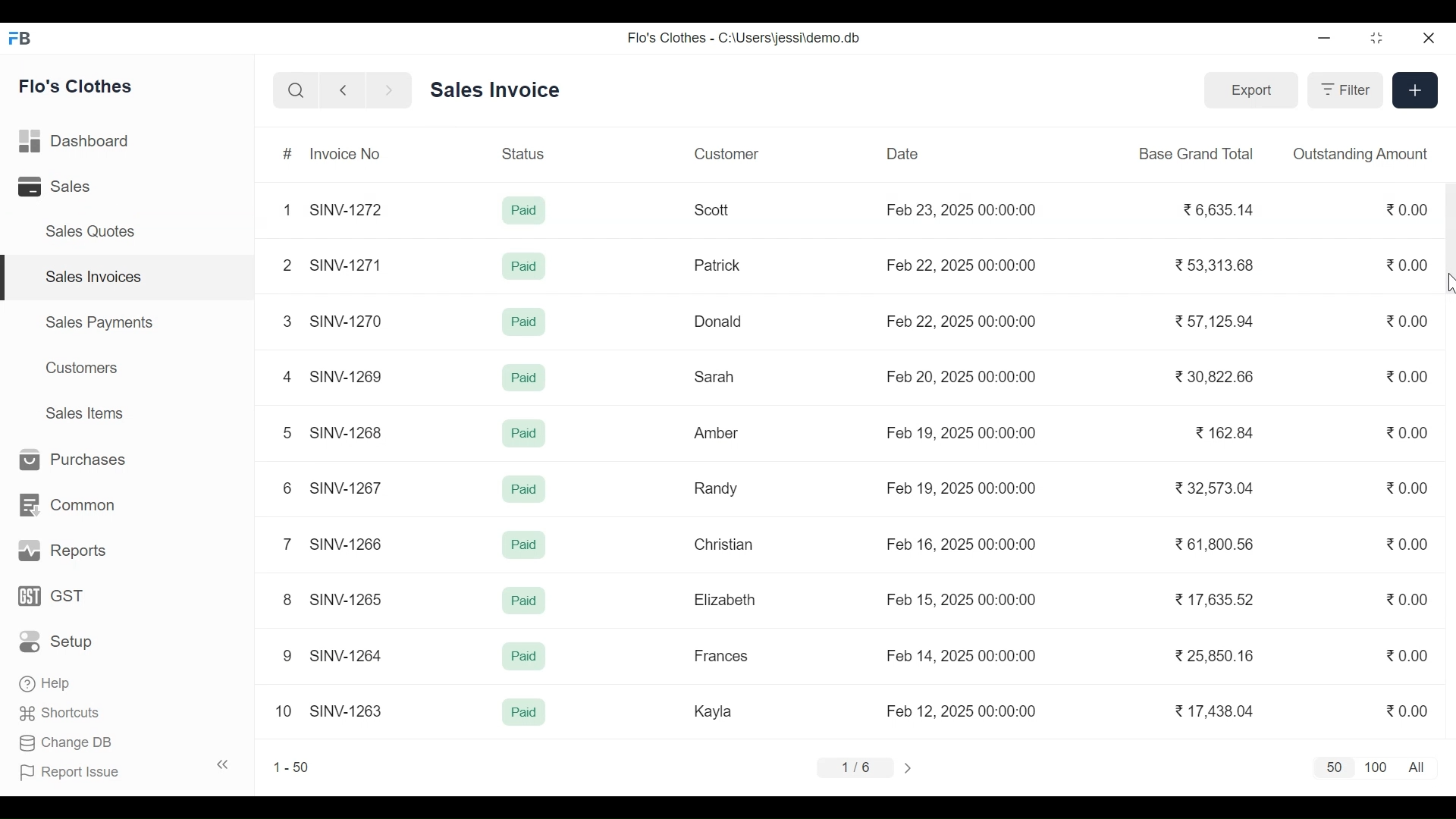 The image size is (1456, 819). I want to click on 2, so click(285, 265).